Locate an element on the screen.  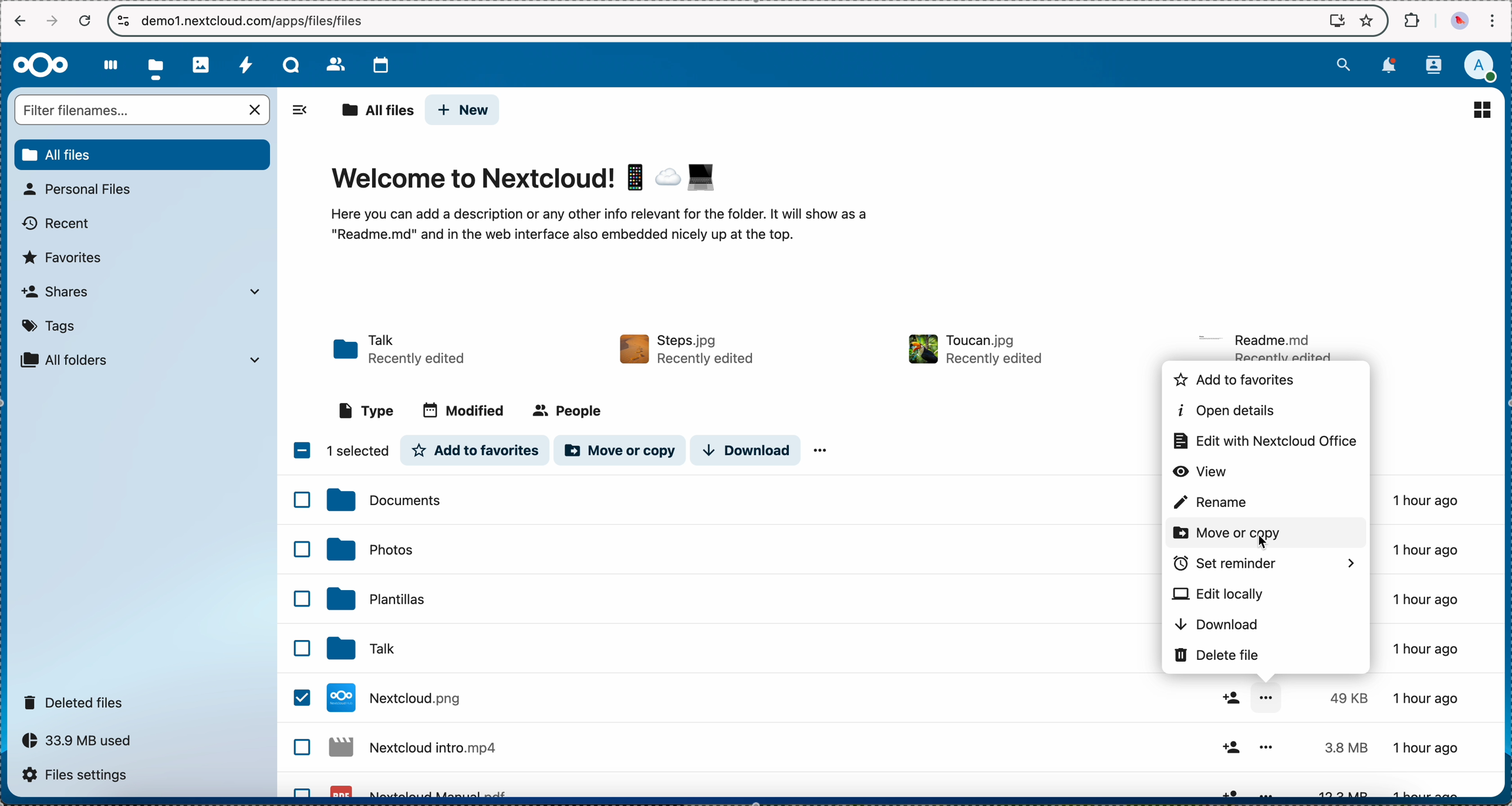
URL is located at coordinates (256, 20).